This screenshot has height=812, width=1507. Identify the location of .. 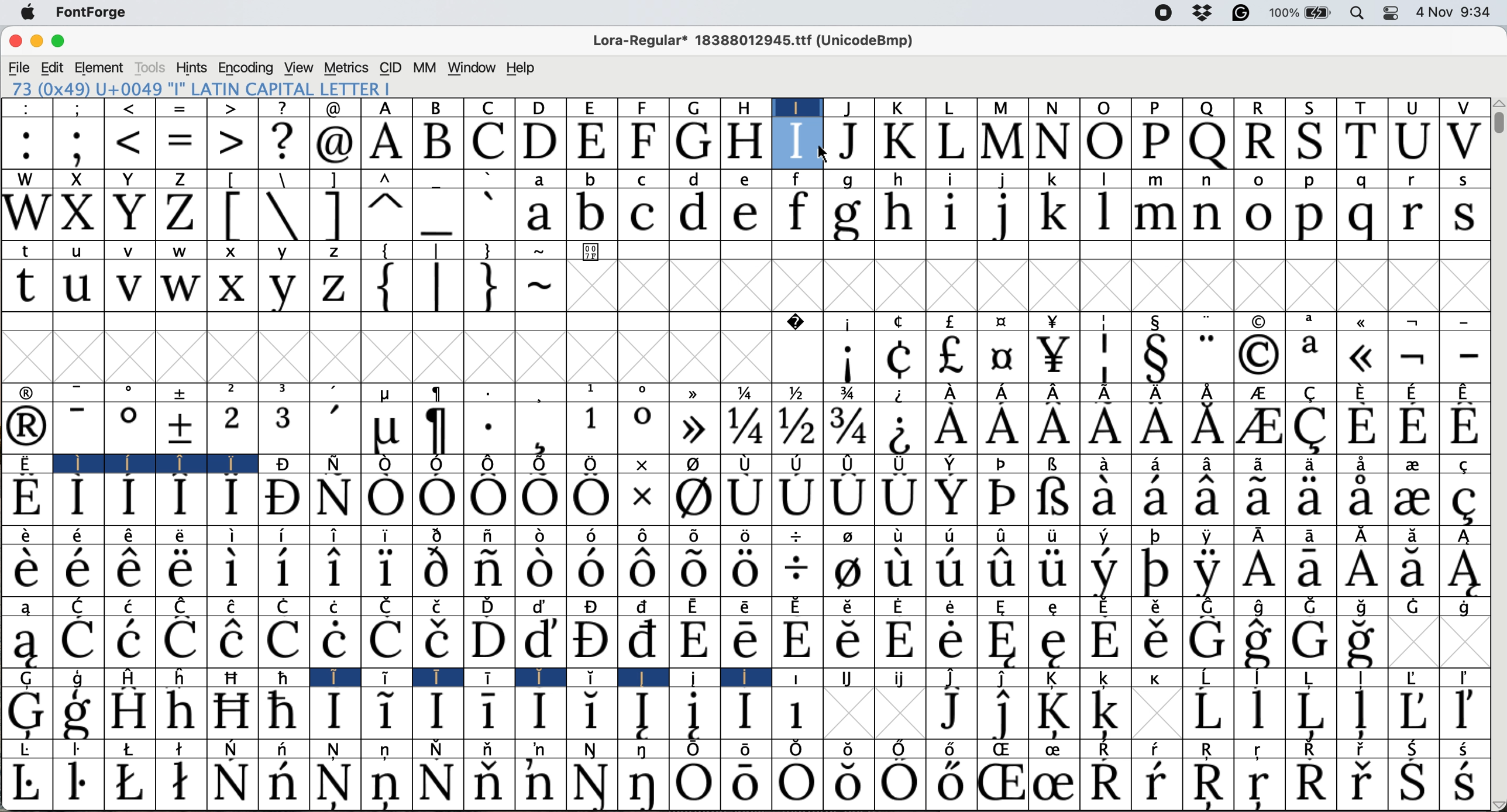
(487, 431).